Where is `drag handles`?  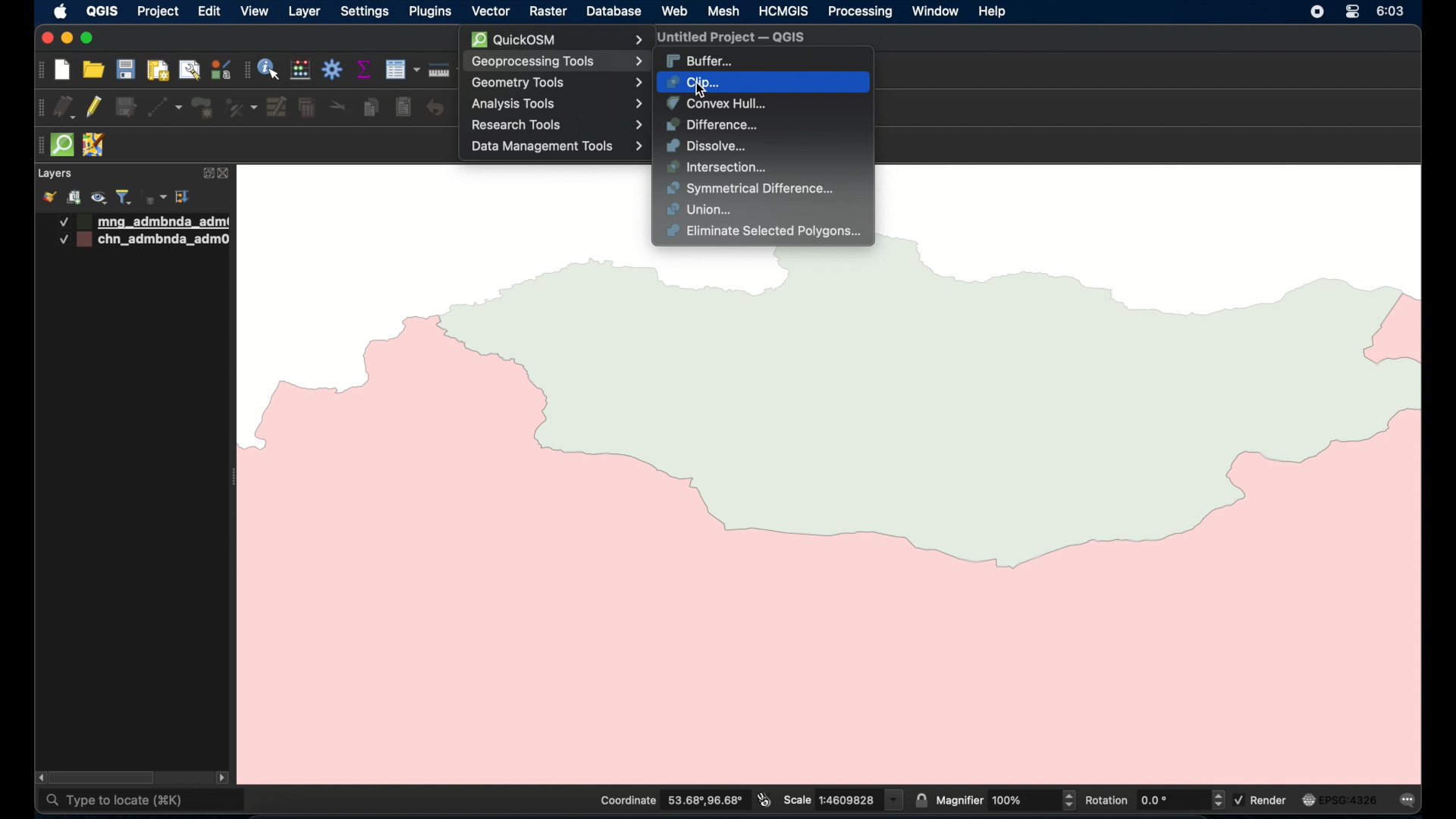
drag handles is located at coordinates (41, 108).